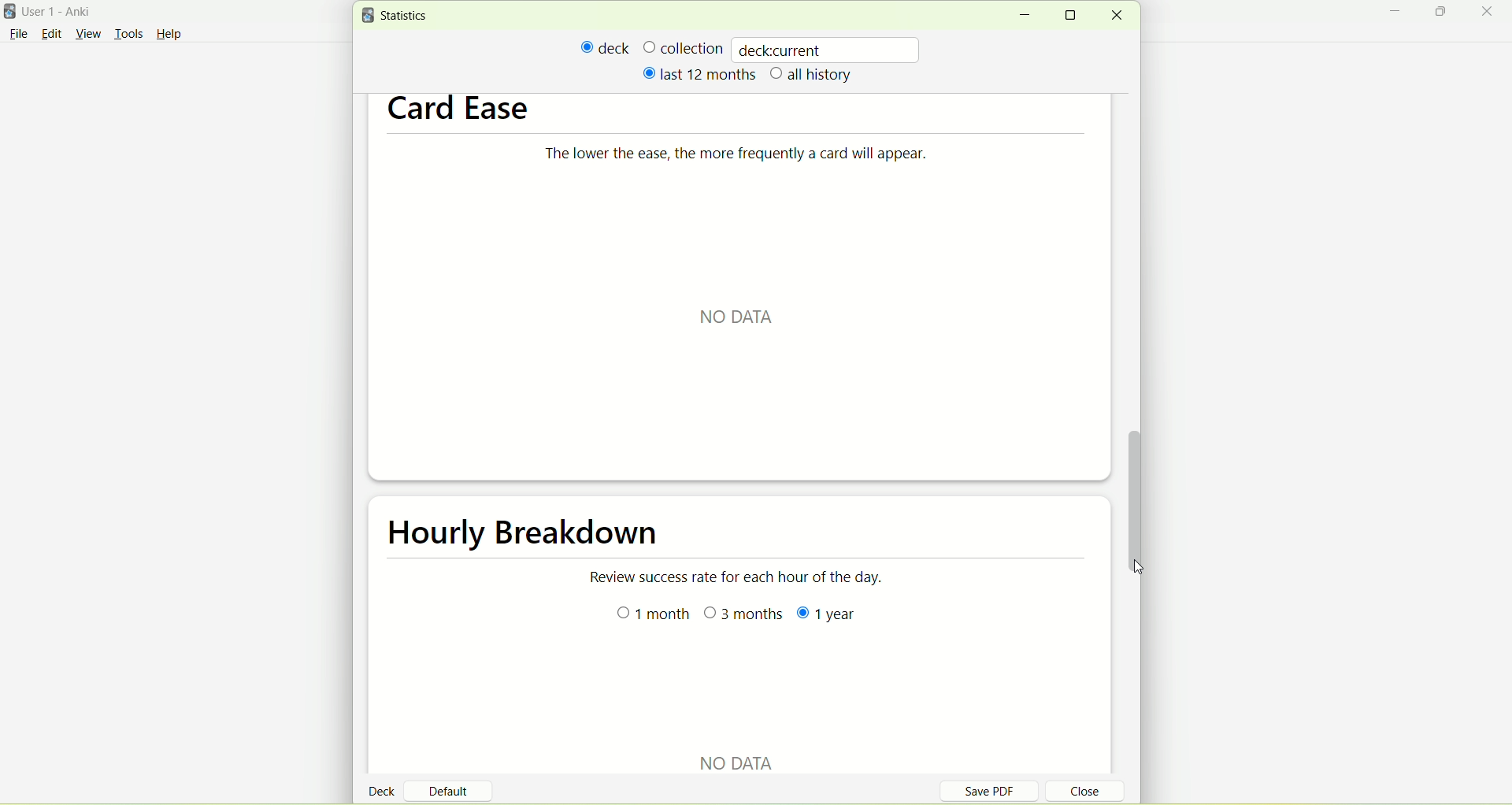 The height and width of the screenshot is (805, 1512). Describe the element at coordinates (514, 538) in the screenshot. I see `hourly breakdown` at that location.